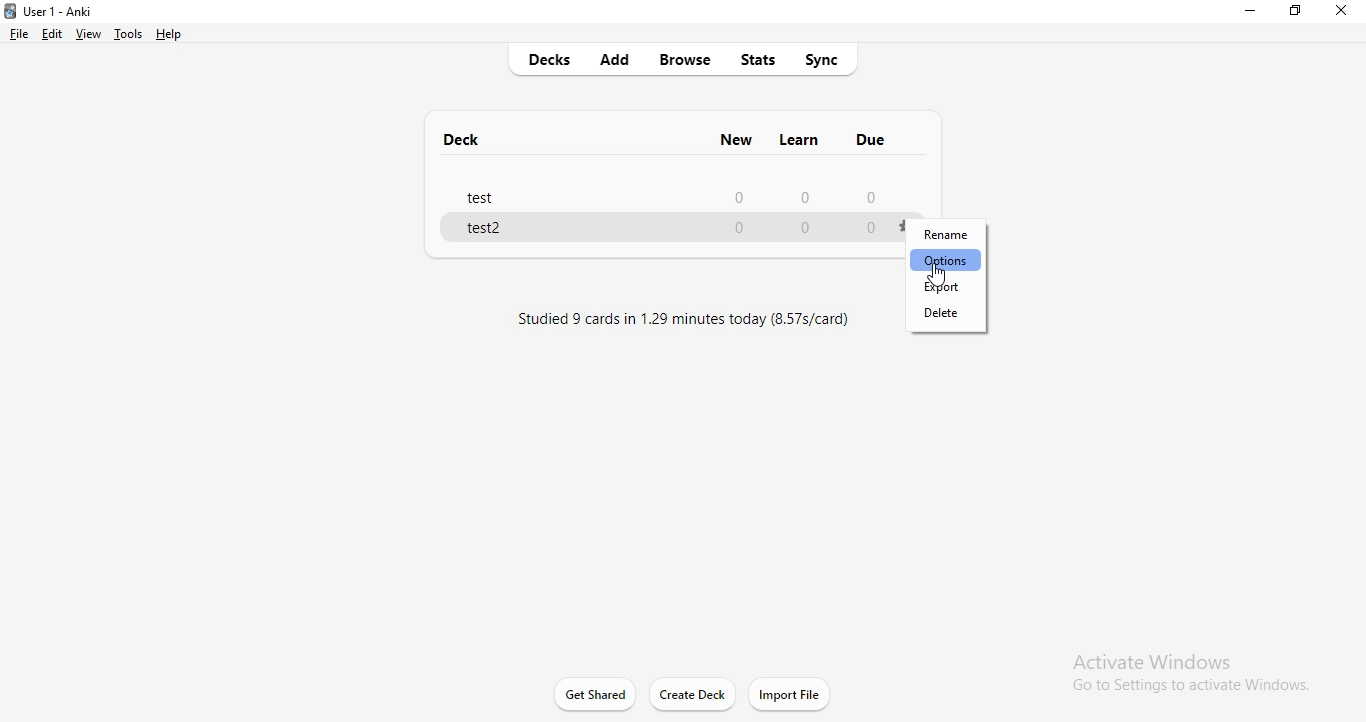 Image resolution: width=1366 pixels, height=722 pixels. I want to click on decks, so click(547, 61).